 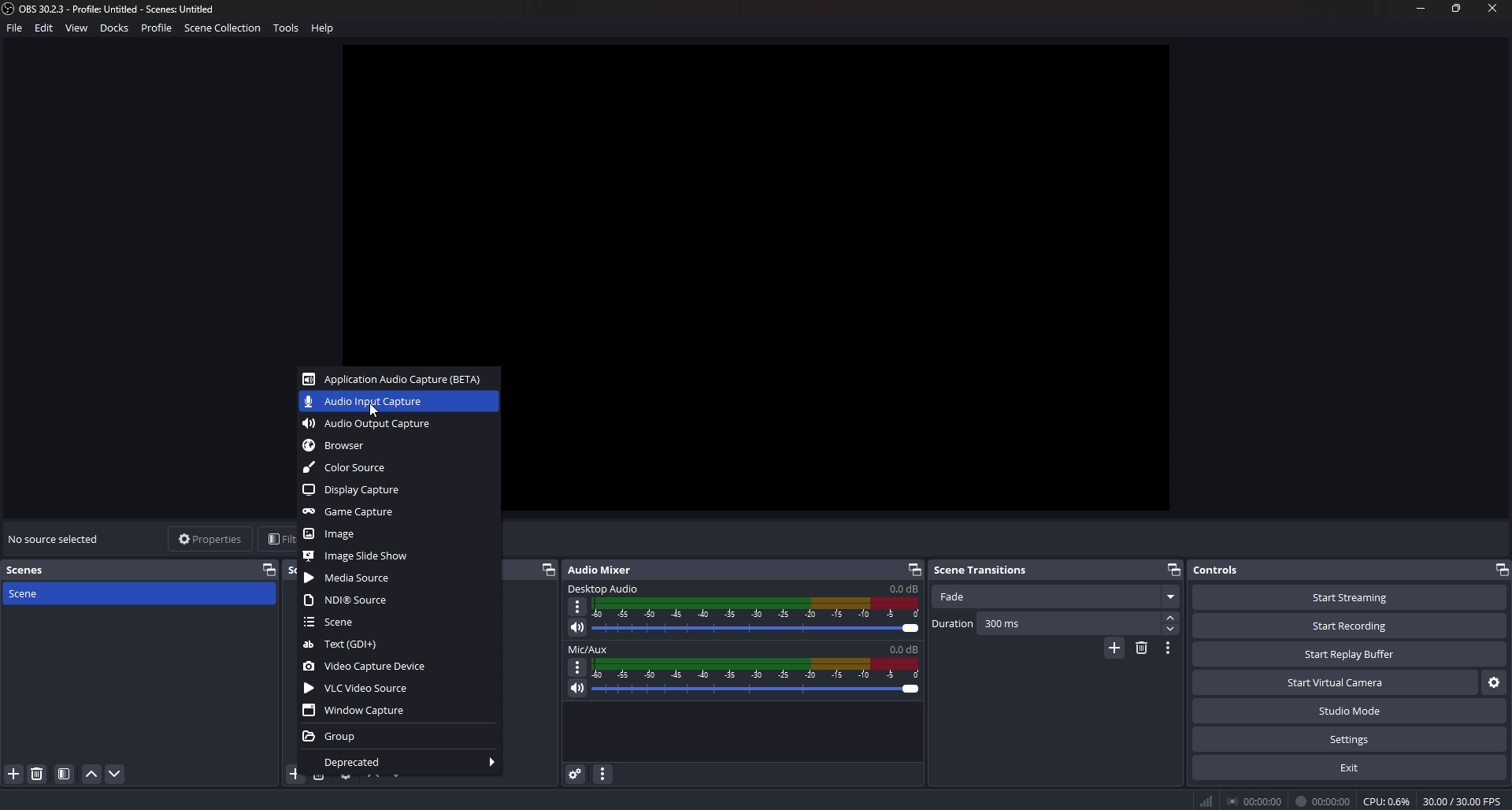 What do you see at coordinates (1047, 623) in the screenshot?
I see `duration` at bounding box center [1047, 623].